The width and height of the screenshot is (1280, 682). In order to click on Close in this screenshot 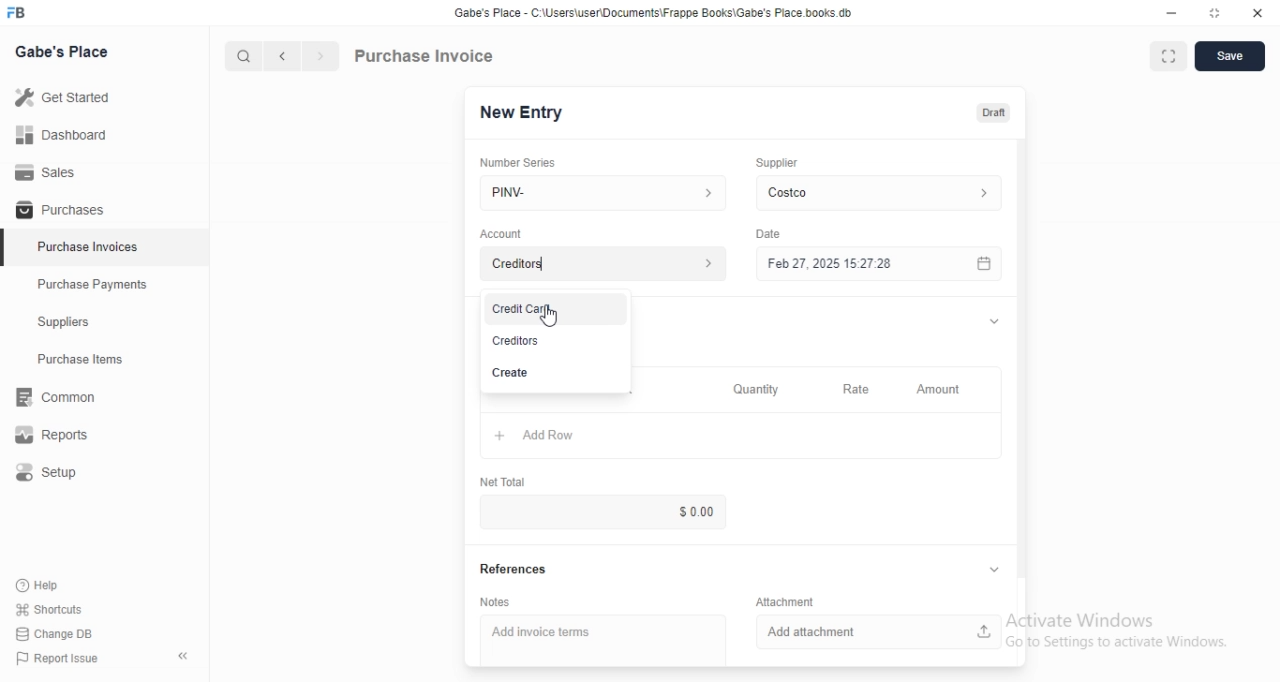, I will do `click(1258, 13)`.